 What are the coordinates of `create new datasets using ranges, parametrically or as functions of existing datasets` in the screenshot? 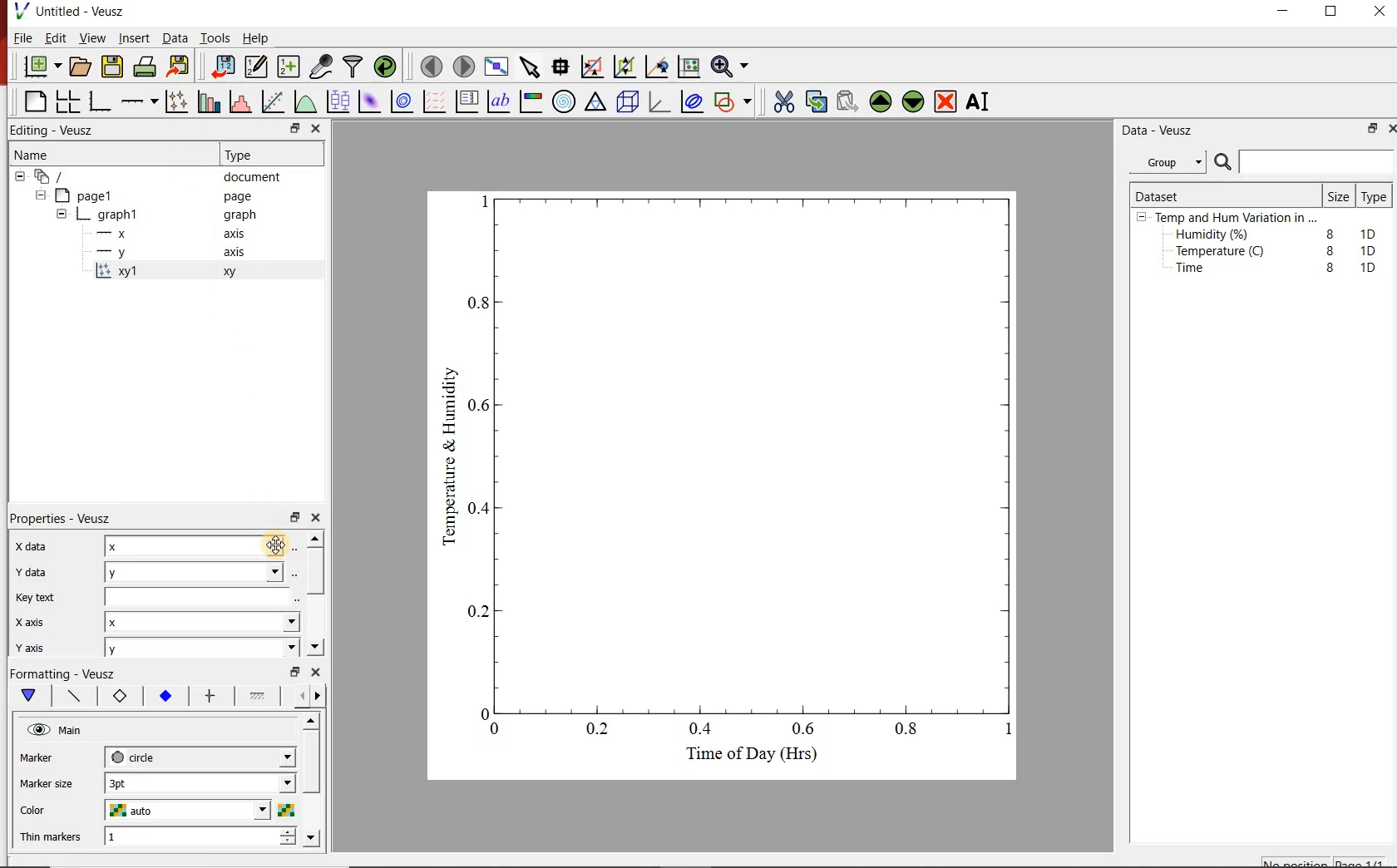 It's located at (289, 67).